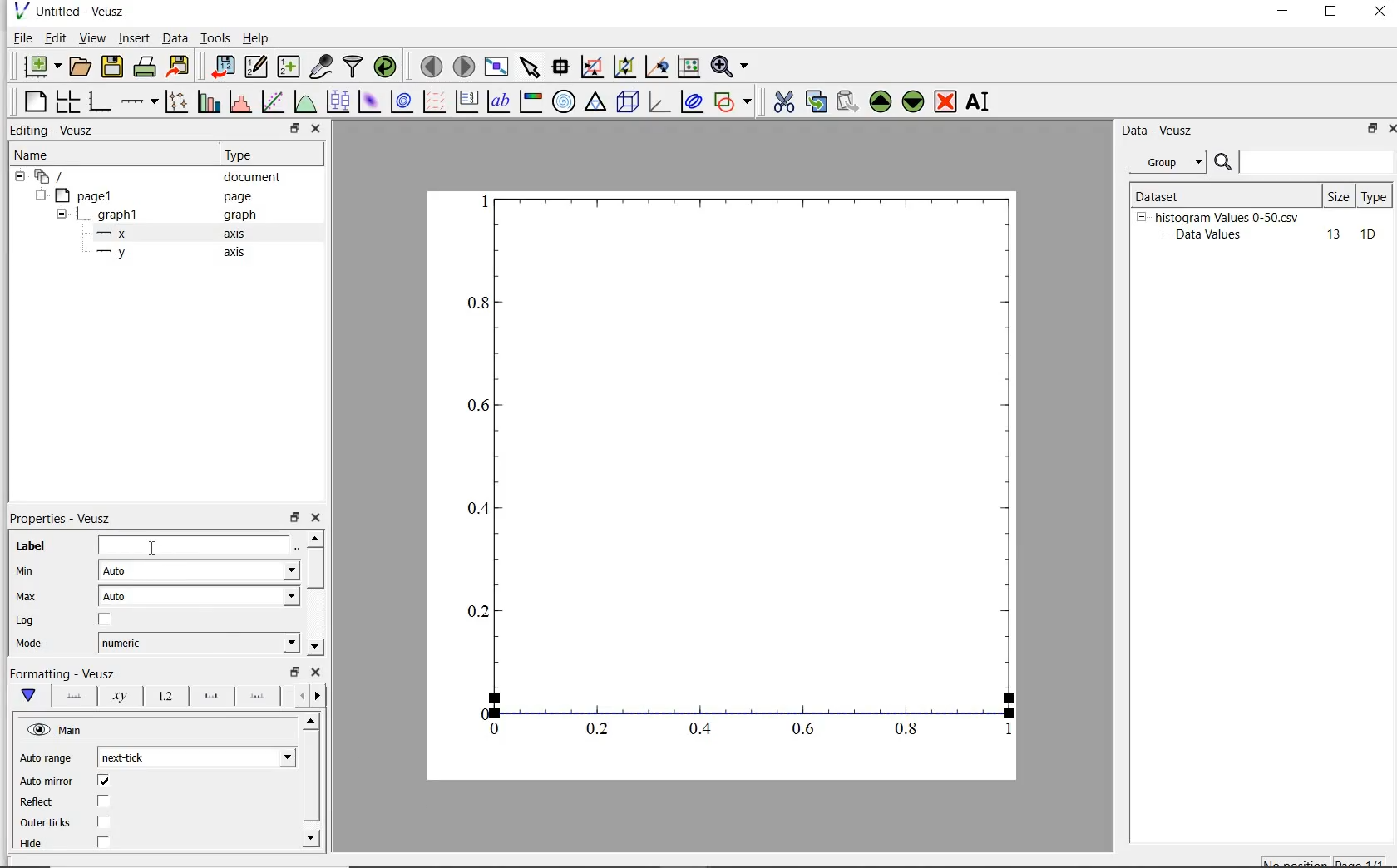 The height and width of the screenshot is (868, 1397). I want to click on import data into veusz, so click(225, 67).